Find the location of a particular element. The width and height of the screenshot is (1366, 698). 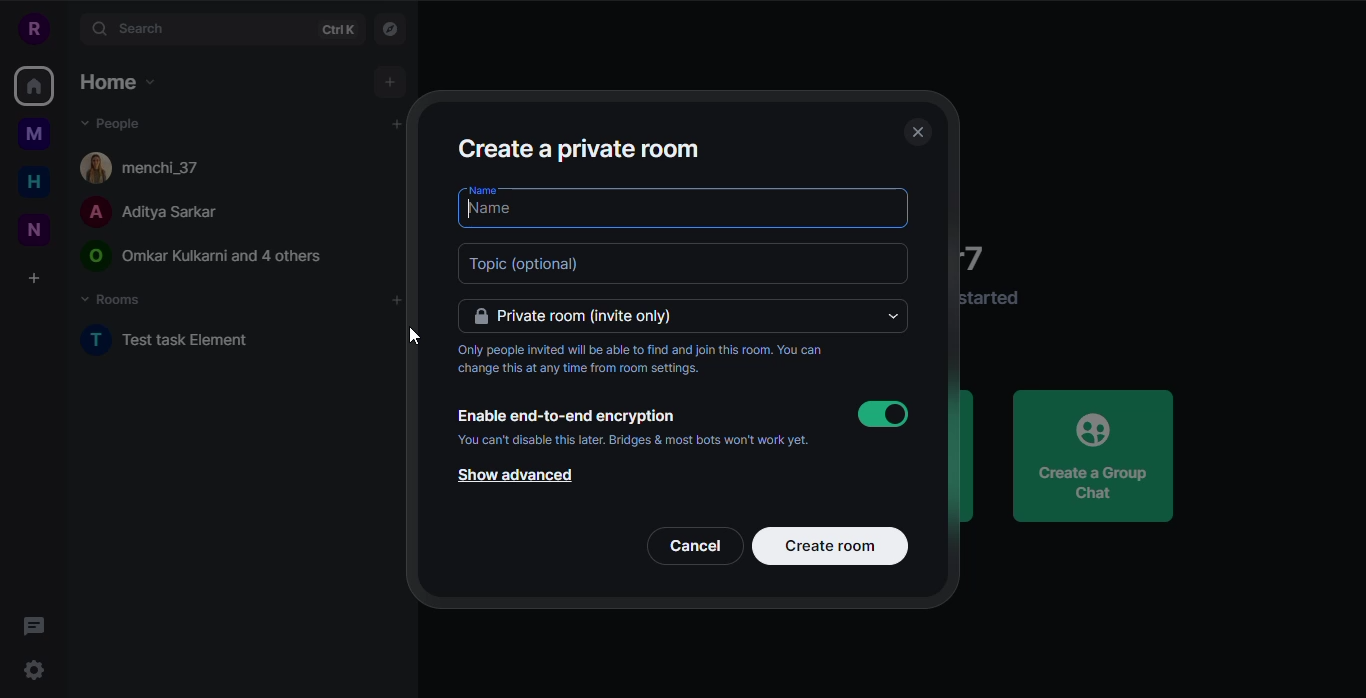

enable encryption is located at coordinates (565, 416).